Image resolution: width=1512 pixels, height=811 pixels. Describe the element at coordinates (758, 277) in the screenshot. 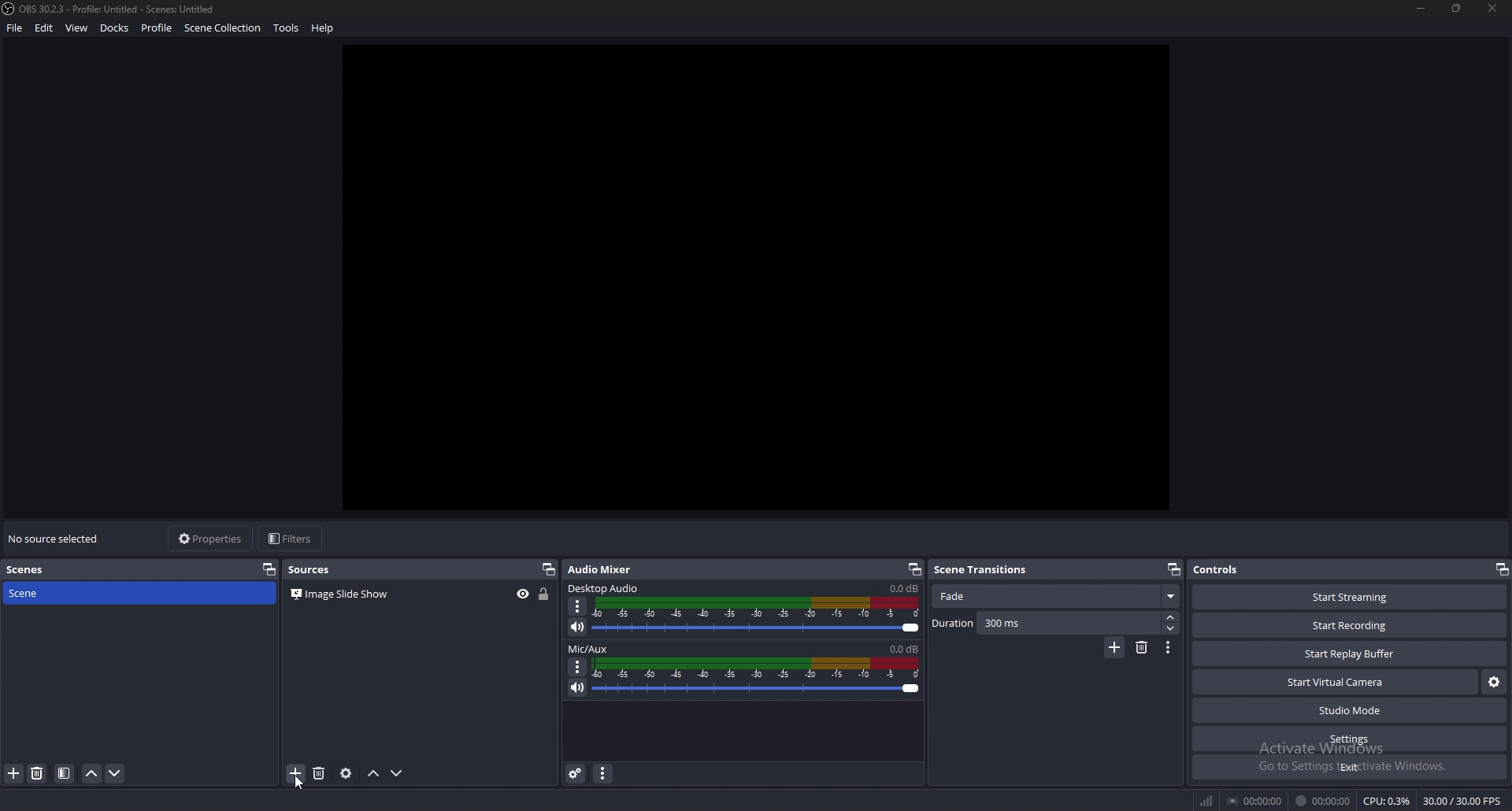

I see `canvas` at that location.